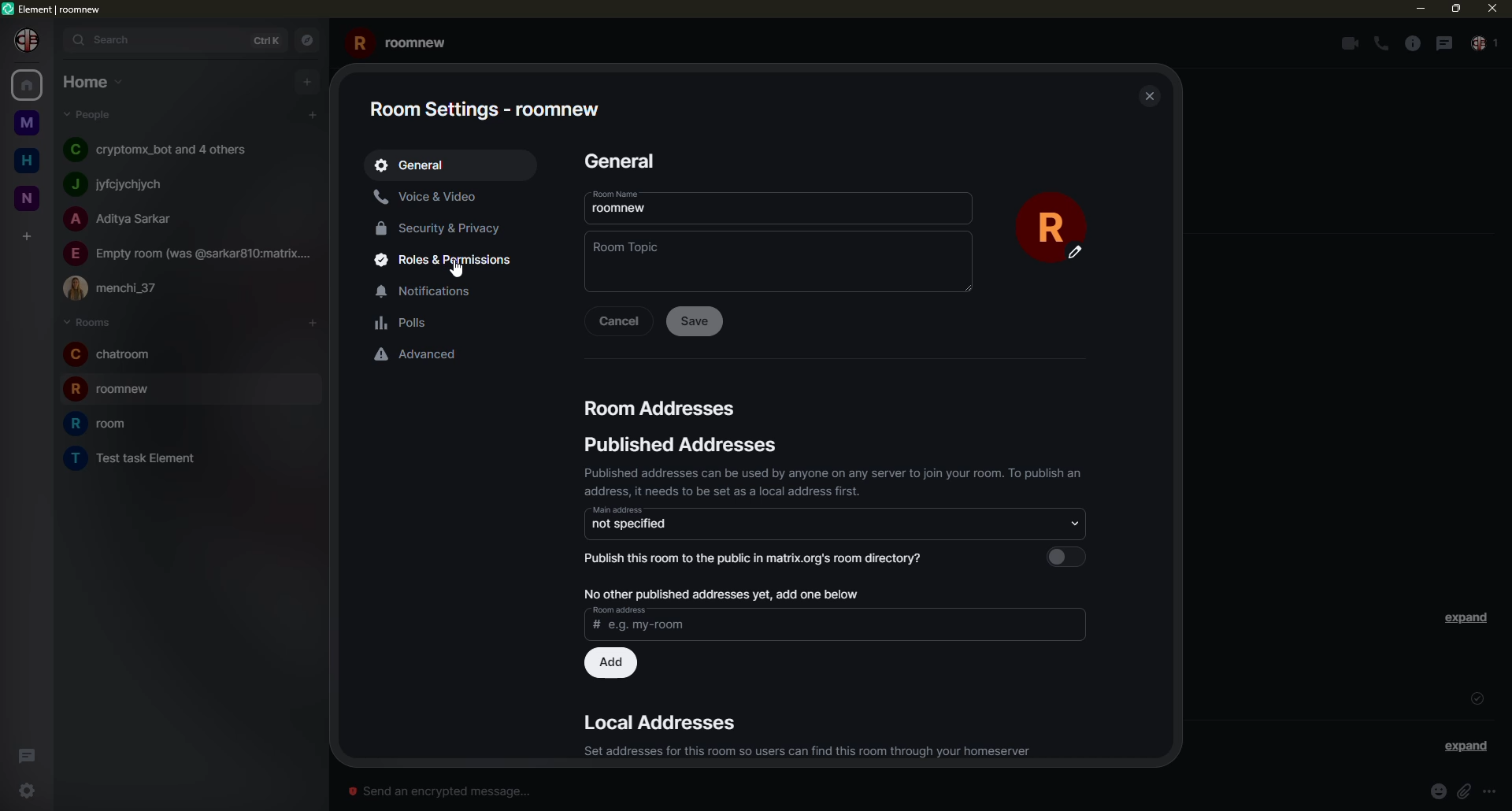  What do you see at coordinates (678, 446) in the screenshot?
I see `address` at bounding box center [678, 446].